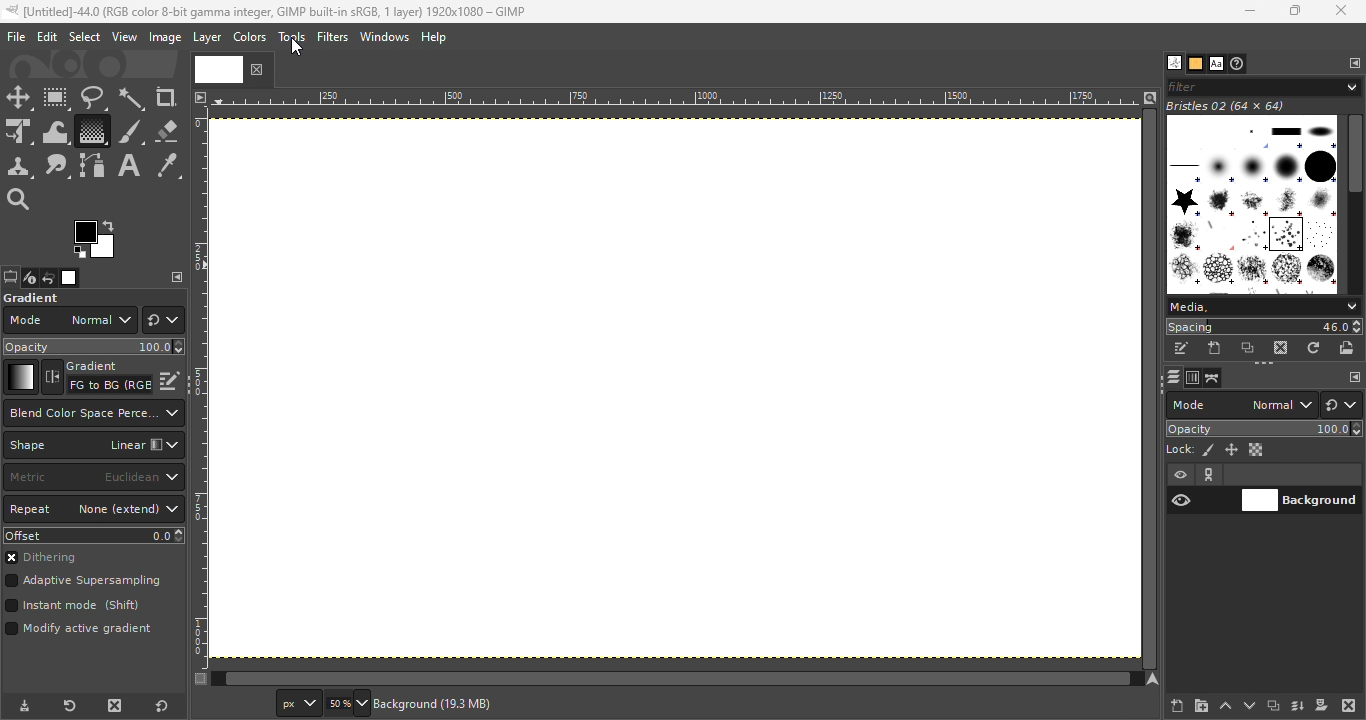 The width and height of the screenshot is (1366, 720). Describe the element at coordinates (1272, 707) in the screenshot. I see `Create a duplicate of the layer and add it to the image` at that location.